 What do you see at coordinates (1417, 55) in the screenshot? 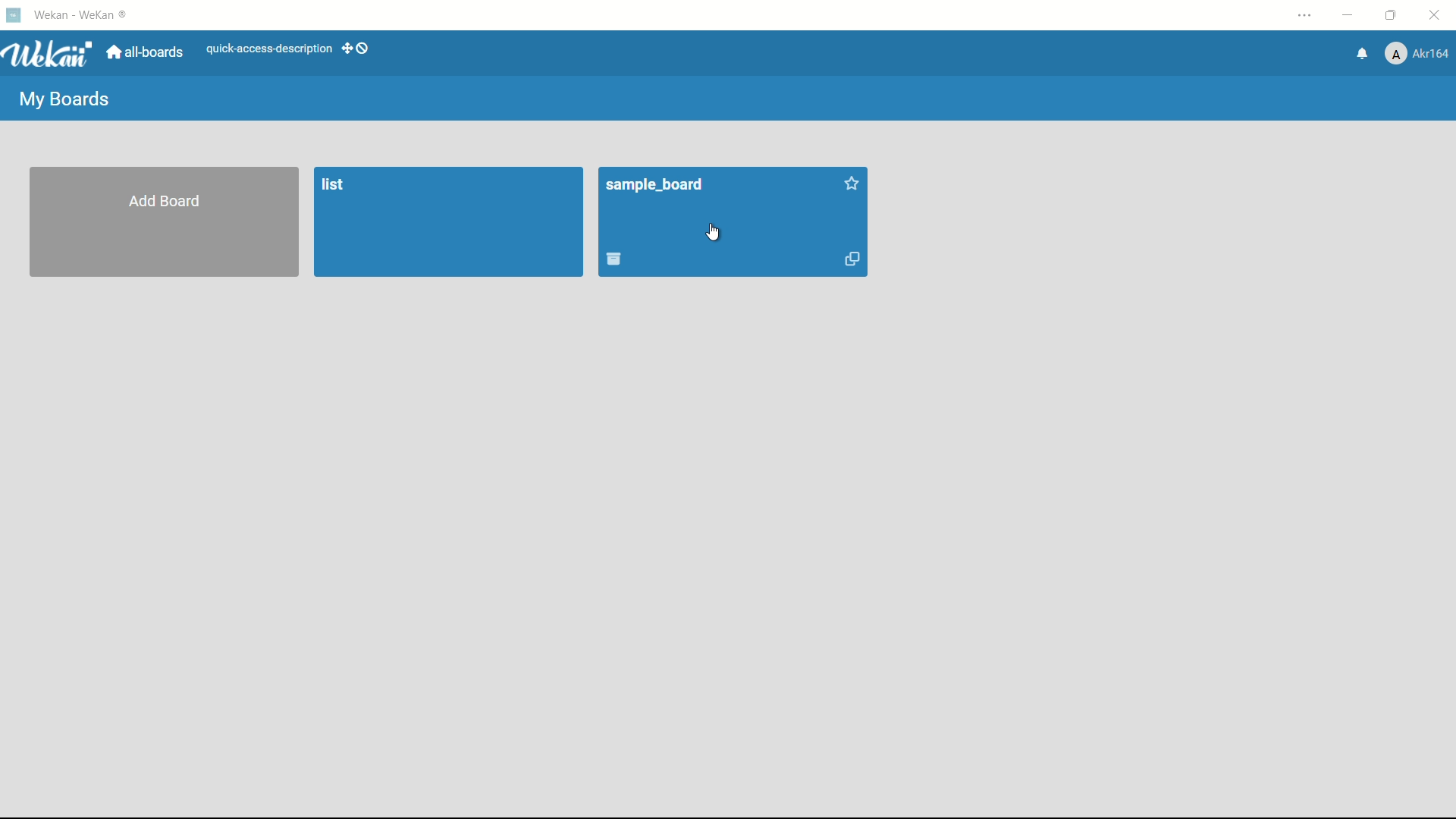
I see `profile` at bounding box center [1417, 55].